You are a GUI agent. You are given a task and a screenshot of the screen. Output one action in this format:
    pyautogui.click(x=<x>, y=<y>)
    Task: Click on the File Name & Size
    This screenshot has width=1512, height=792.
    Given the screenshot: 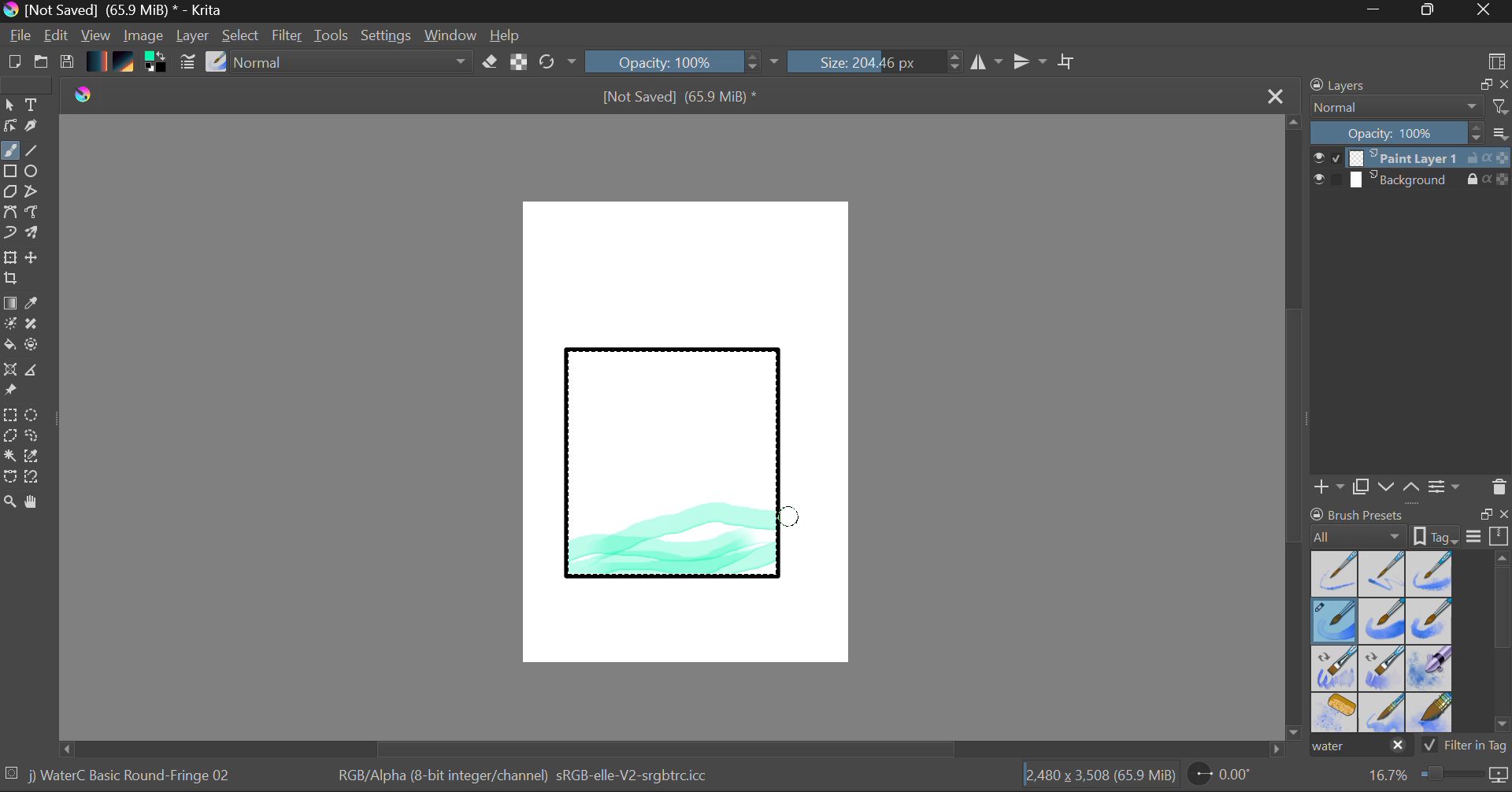 What is the action you would take?
    pyautogui.click(x=680, y=98)
    